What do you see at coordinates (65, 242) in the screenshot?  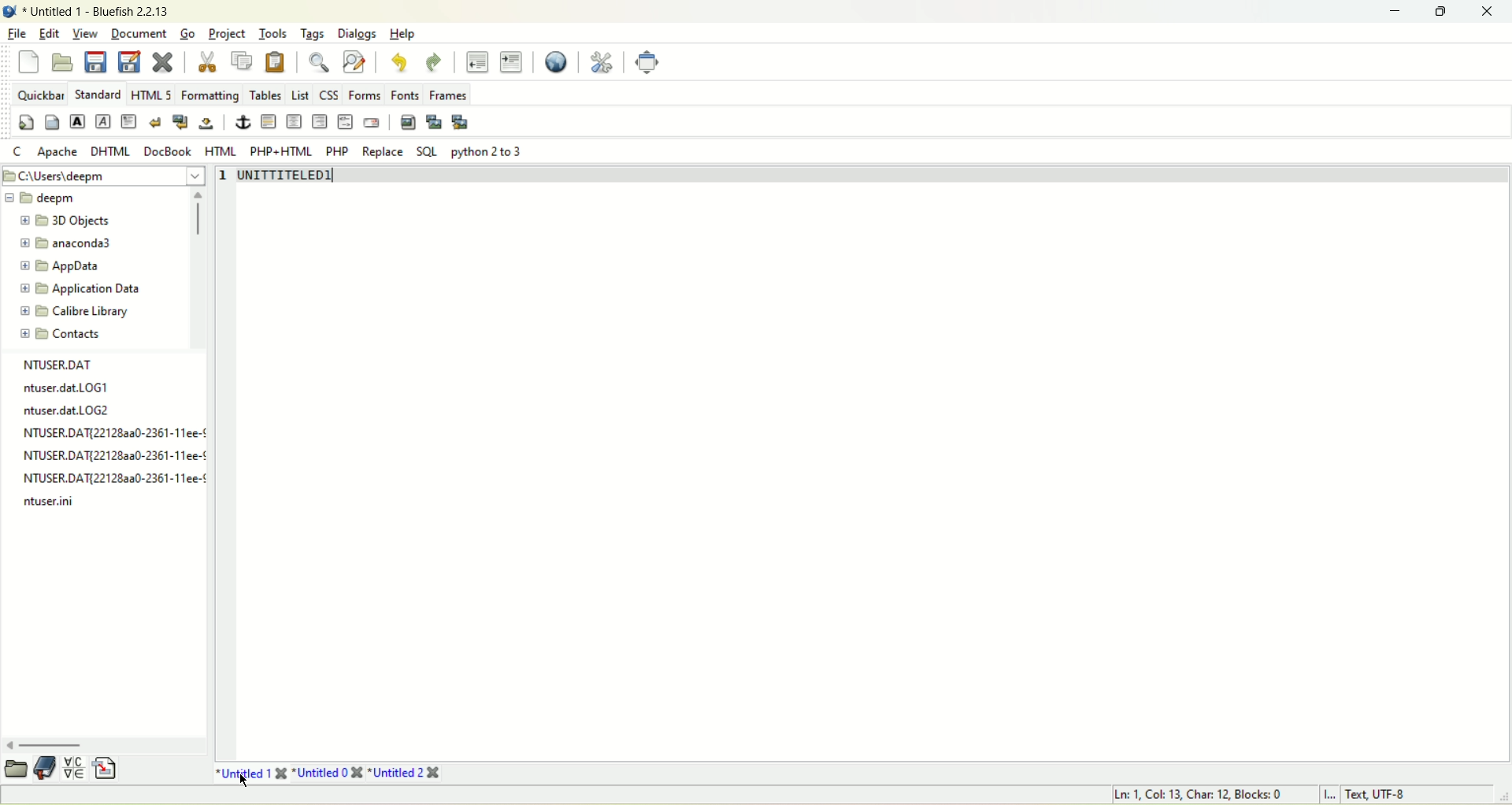 I see `anaconda3` at bounding box center [65, 242].